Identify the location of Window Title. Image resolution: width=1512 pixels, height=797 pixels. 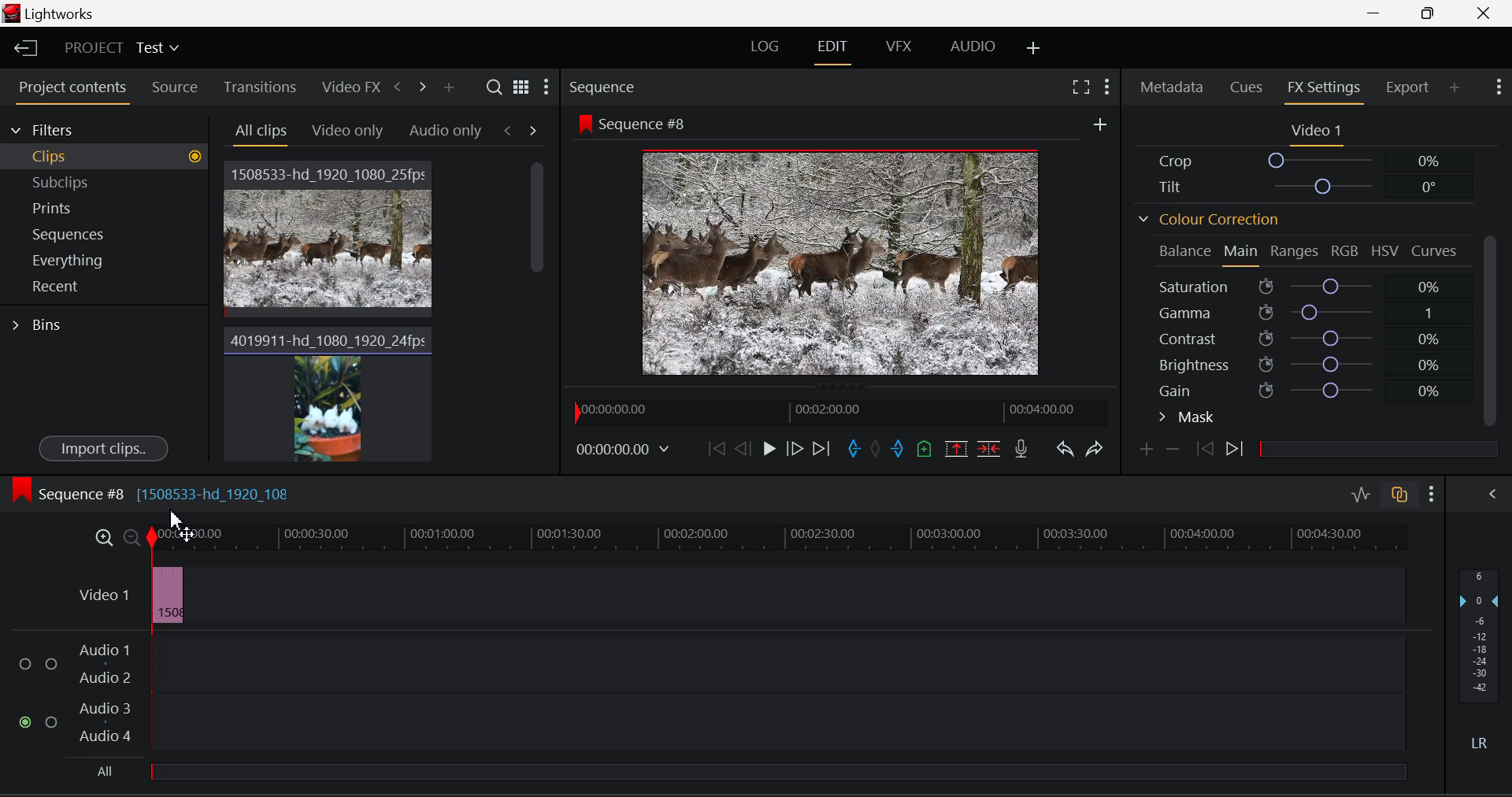
(53, 14).